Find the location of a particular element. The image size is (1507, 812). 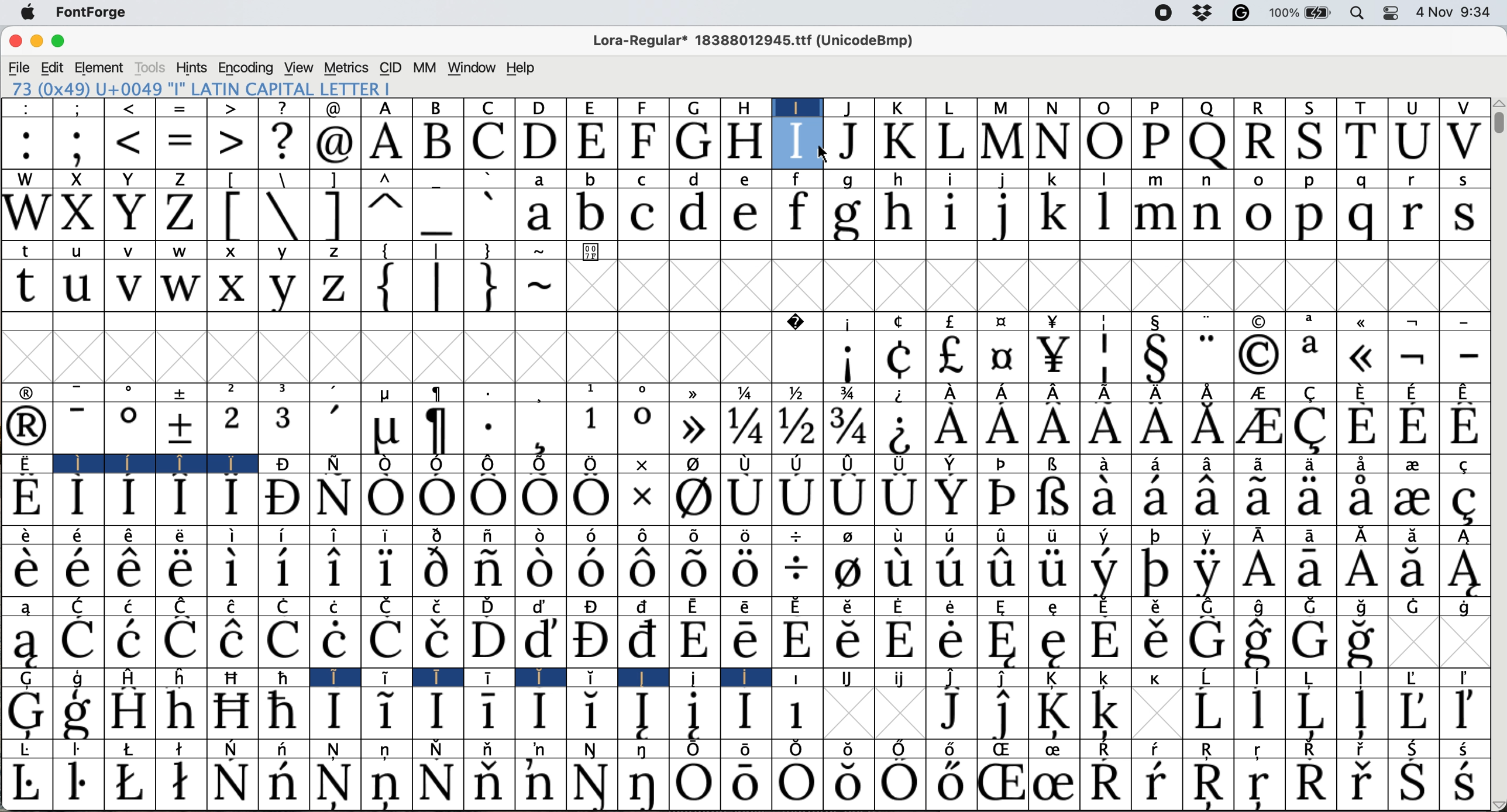

Symbol is located at coordinates (1363, 464).